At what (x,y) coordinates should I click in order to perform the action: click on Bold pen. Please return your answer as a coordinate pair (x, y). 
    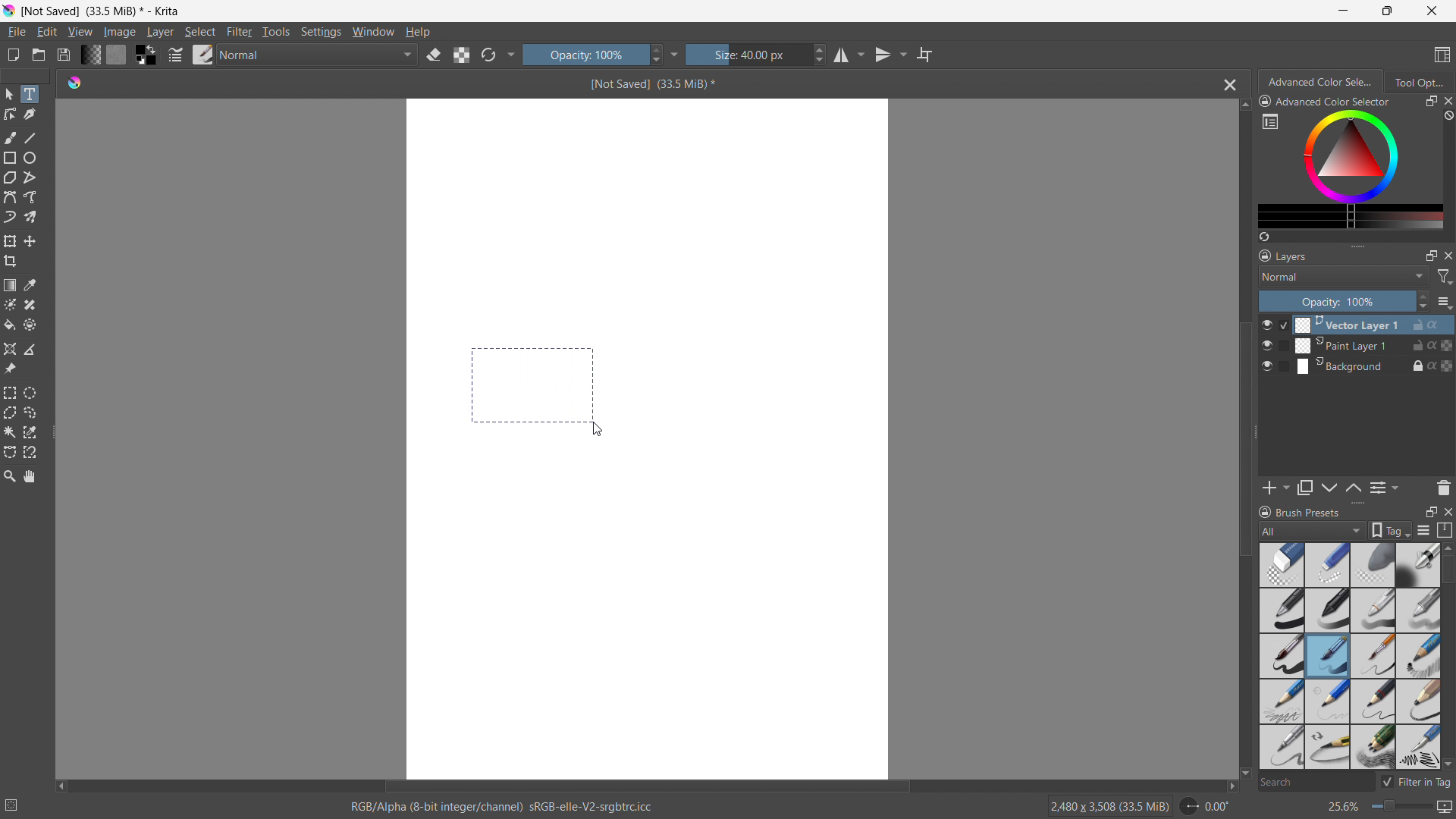
    Looking at the image, I should click on (1417, 565).